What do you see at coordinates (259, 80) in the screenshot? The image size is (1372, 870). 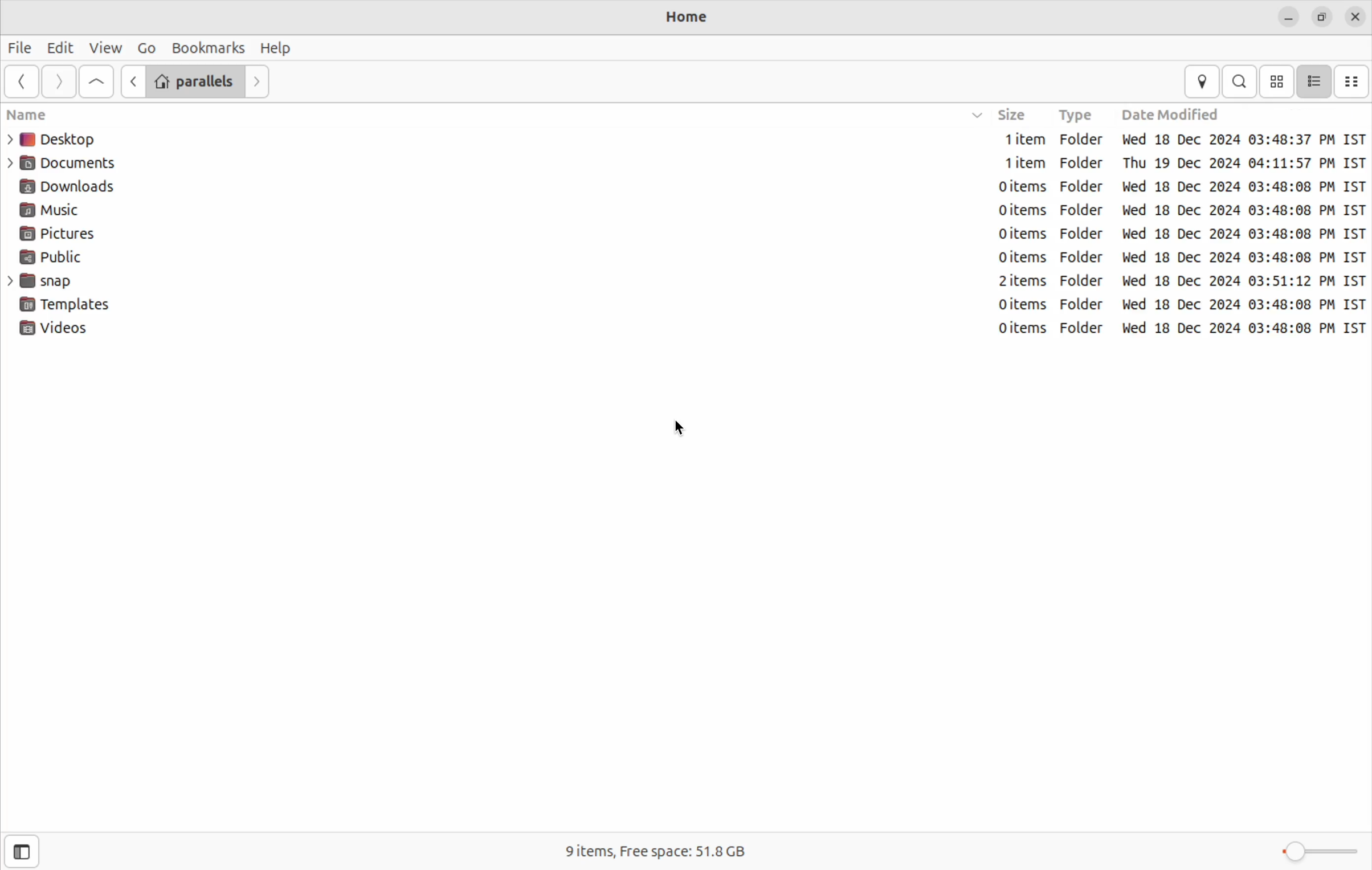 I see `Go next` at bounding box center [259, 80].